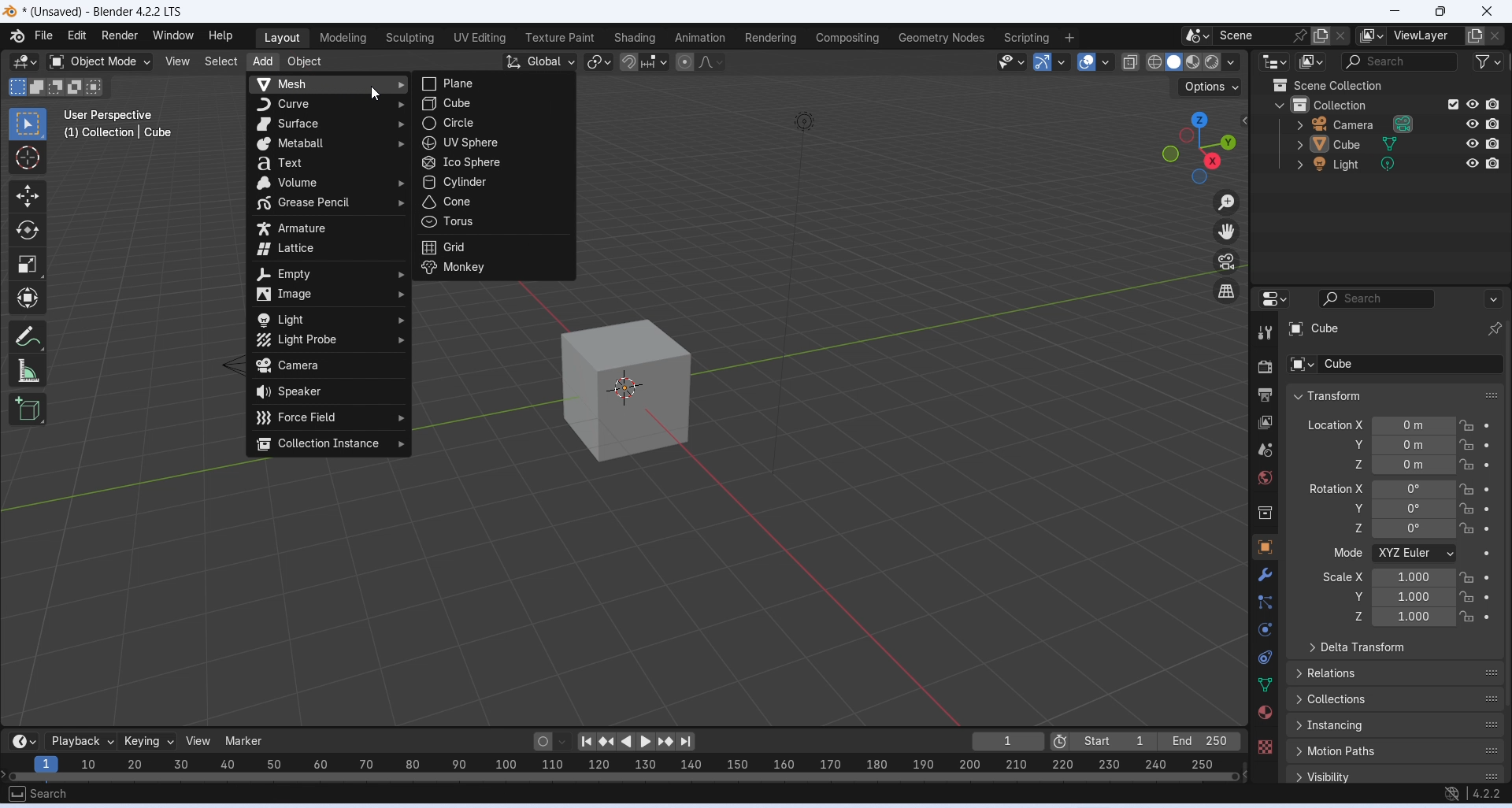  I want to click on force field, so click(331, 416).